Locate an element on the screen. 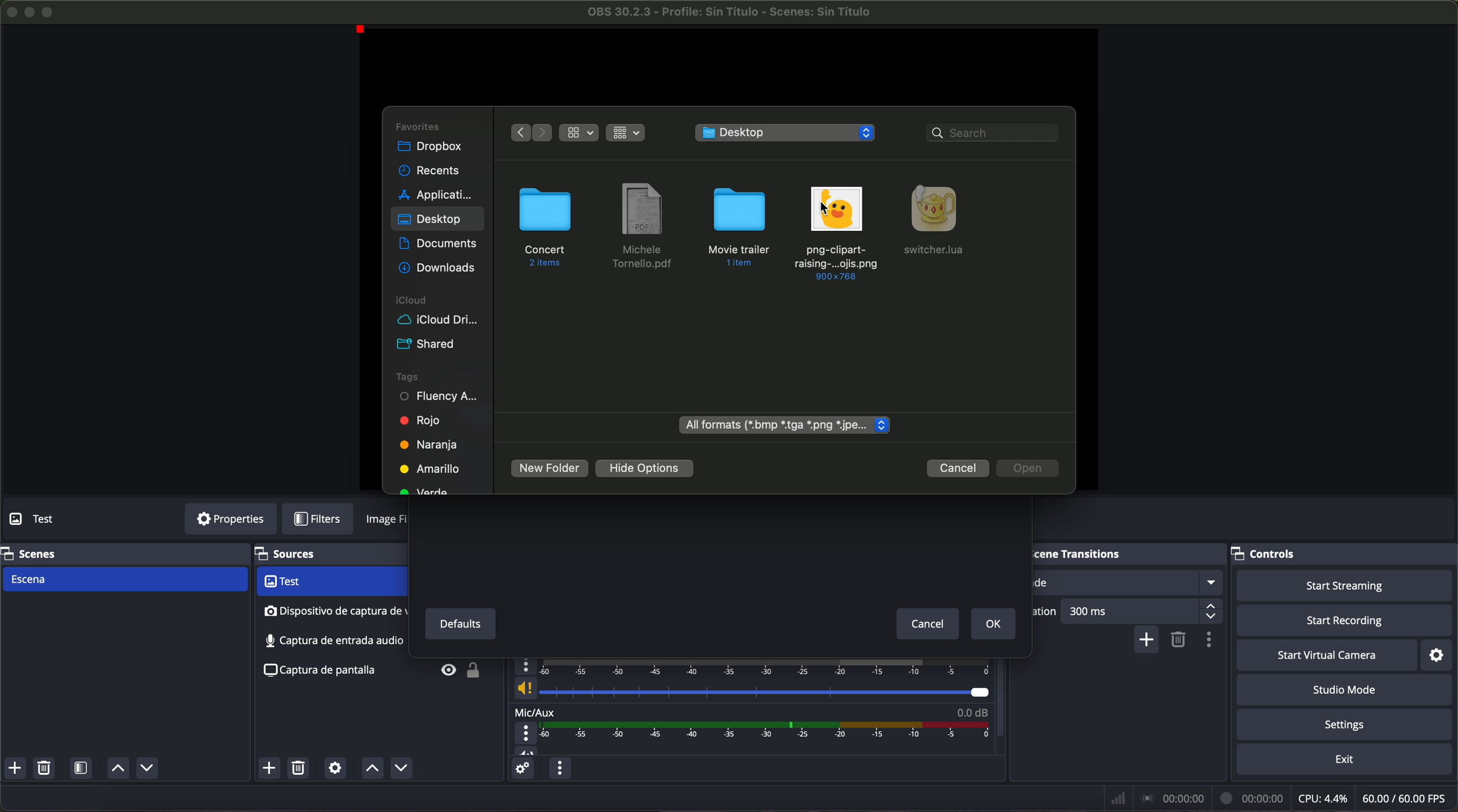  vol is located at coordinates (751, 689).